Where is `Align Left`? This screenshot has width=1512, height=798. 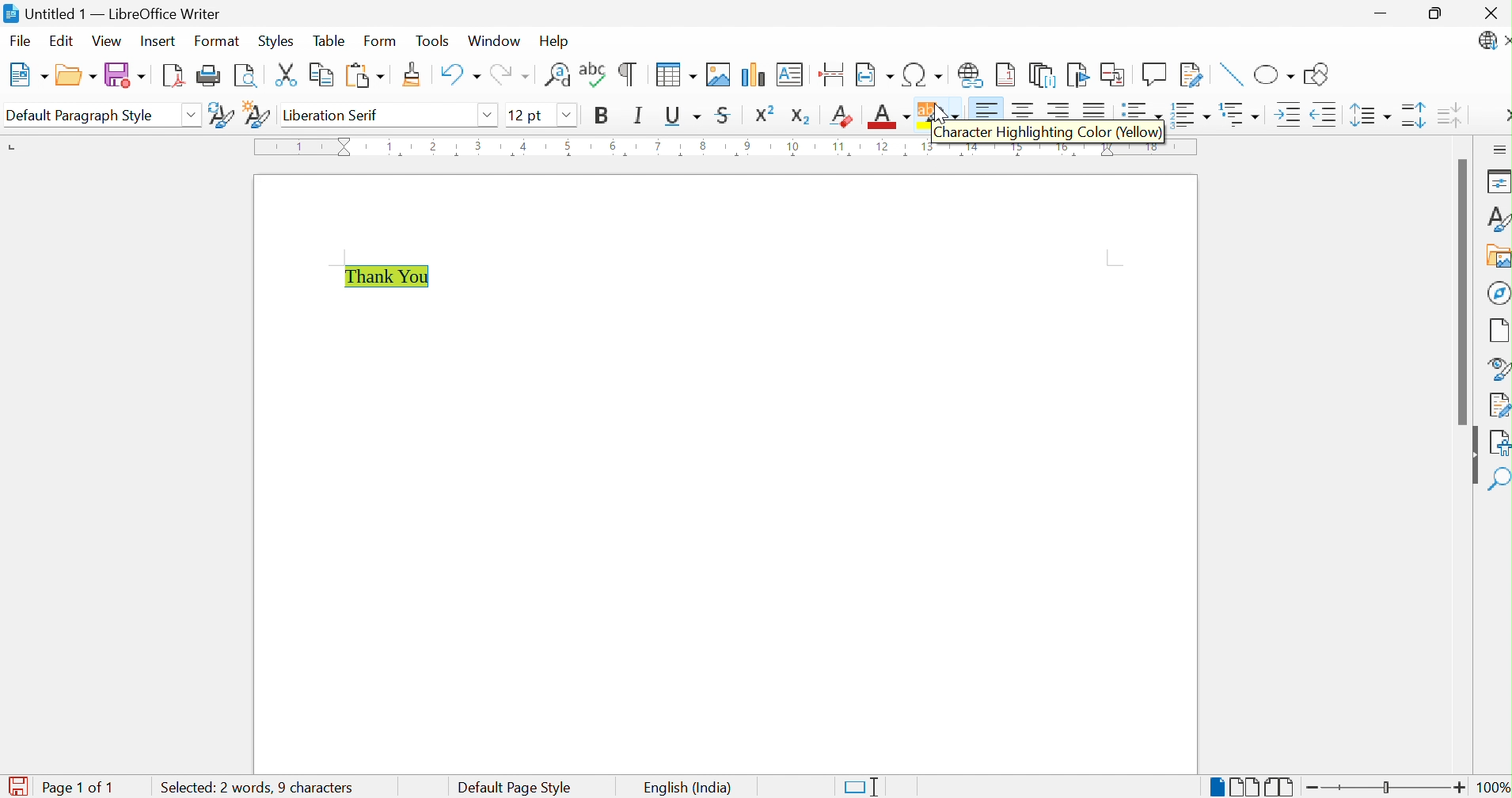
Align Left is located at coordinates (987, 109).